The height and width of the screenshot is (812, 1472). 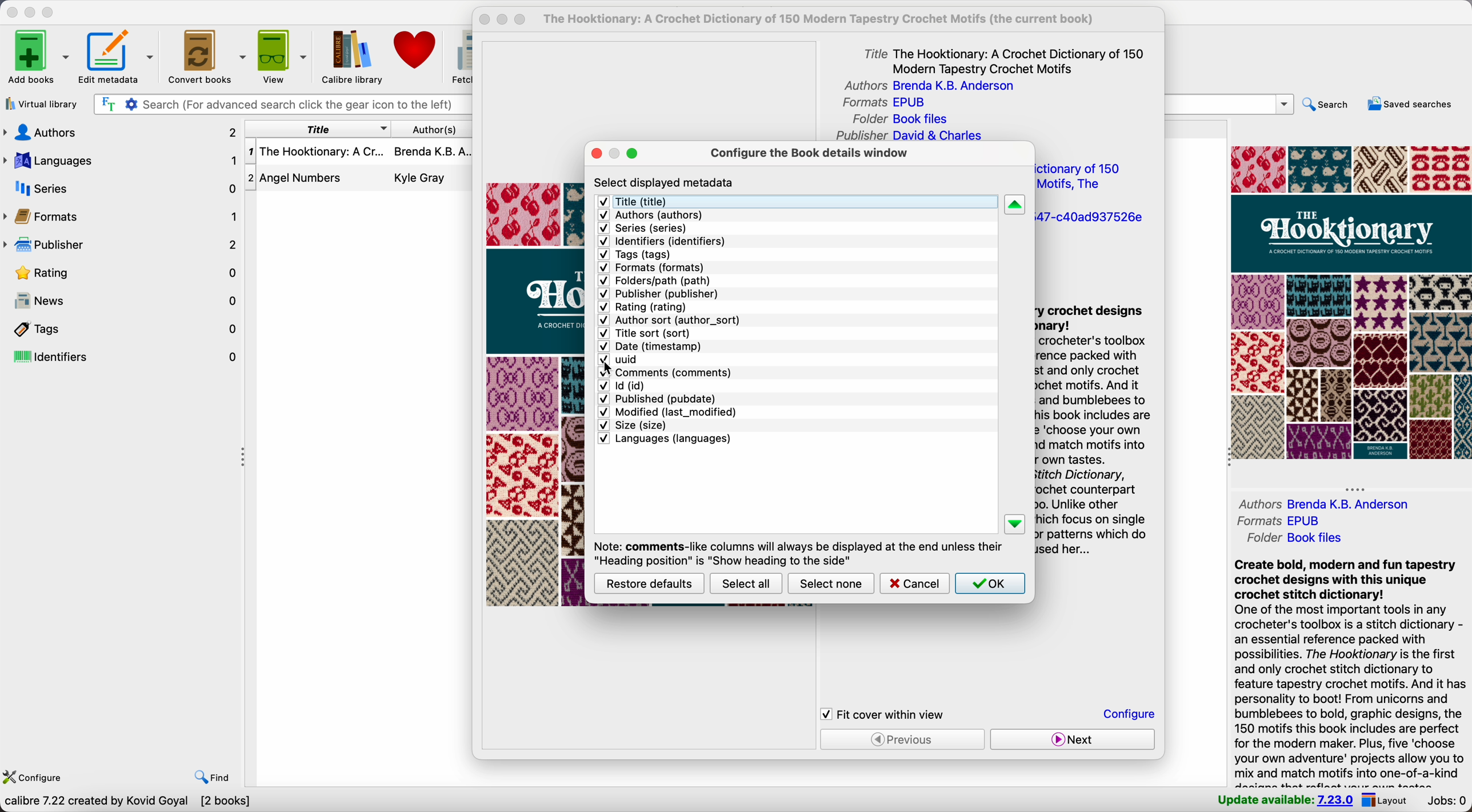 I want to click on select none, so click(x=831, y=585).